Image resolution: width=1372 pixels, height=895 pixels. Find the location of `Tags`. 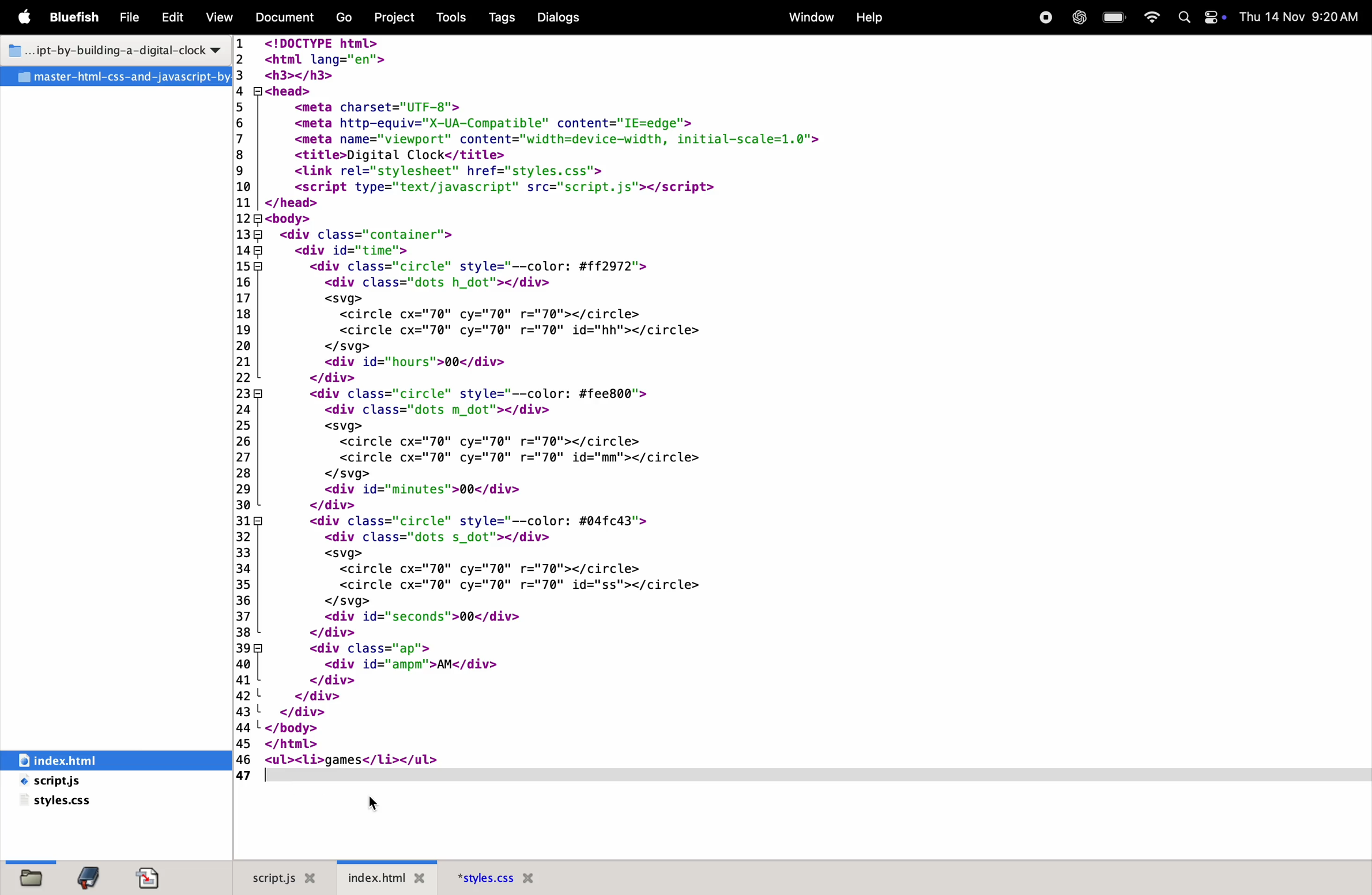

Tags is located at coordinates (499, 17).